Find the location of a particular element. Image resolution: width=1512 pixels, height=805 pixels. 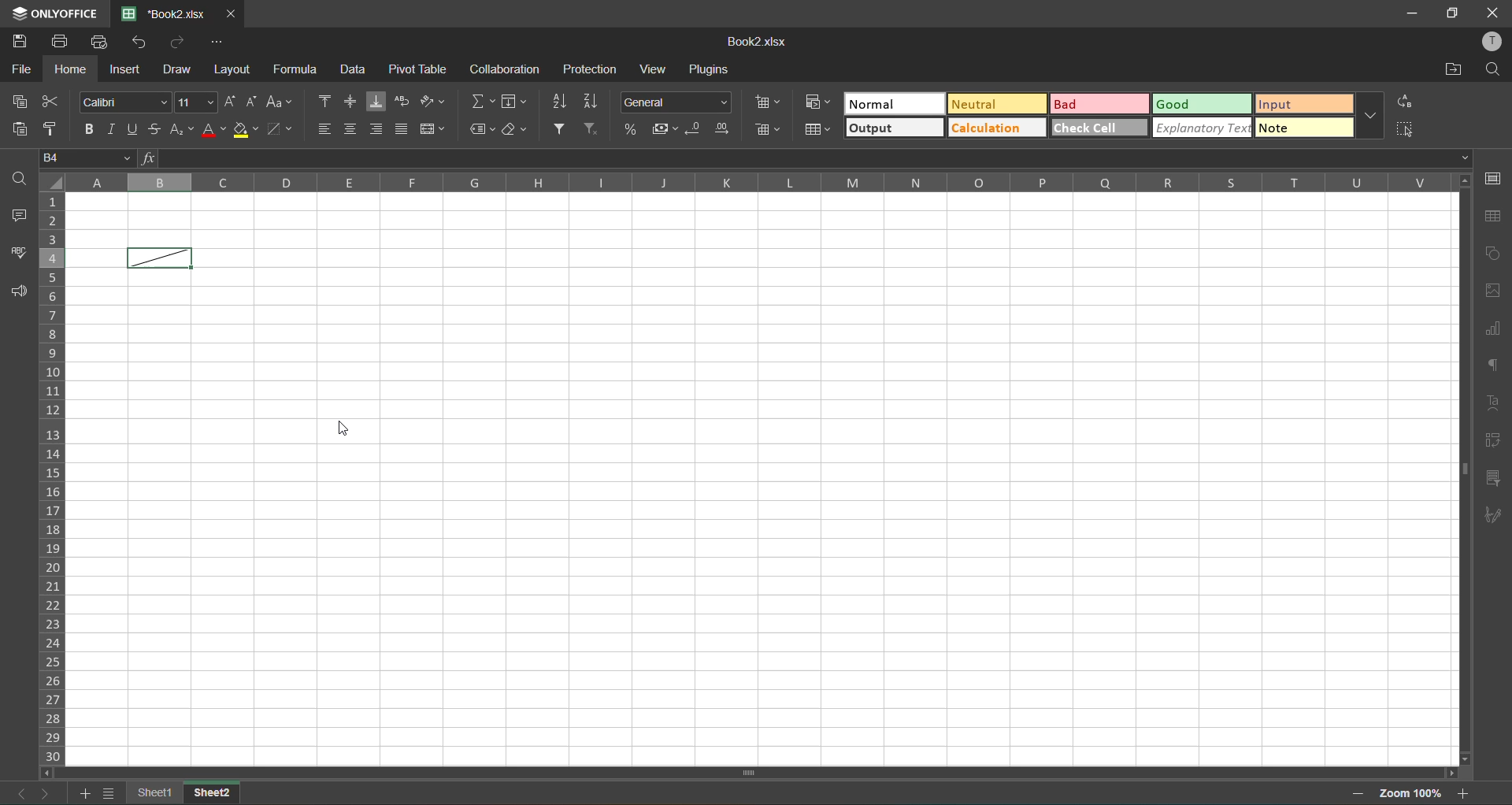

bad is located at coordinates (1098, 106).